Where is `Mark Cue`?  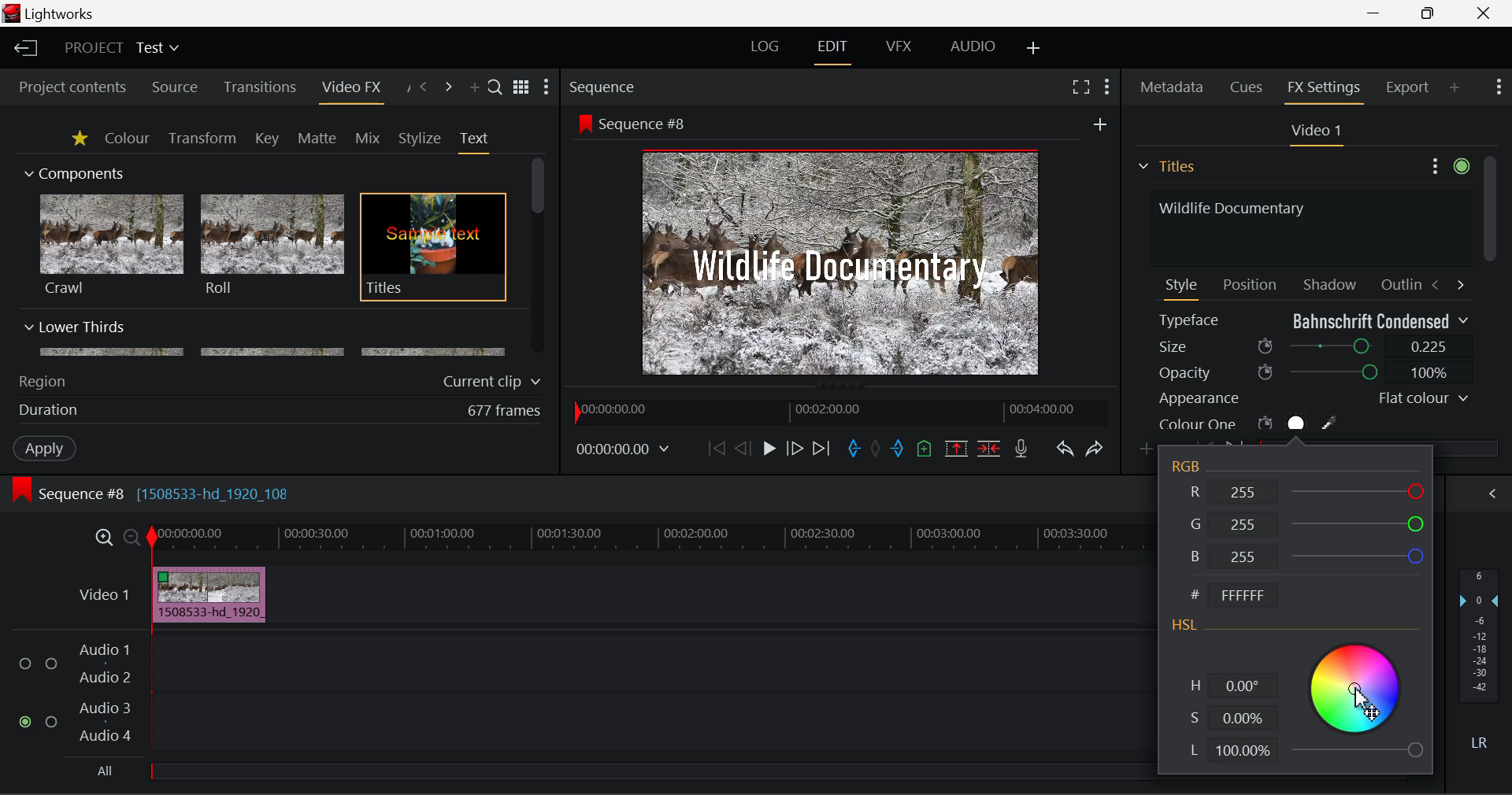
Mark Cue is located at coordinates (926, 450).